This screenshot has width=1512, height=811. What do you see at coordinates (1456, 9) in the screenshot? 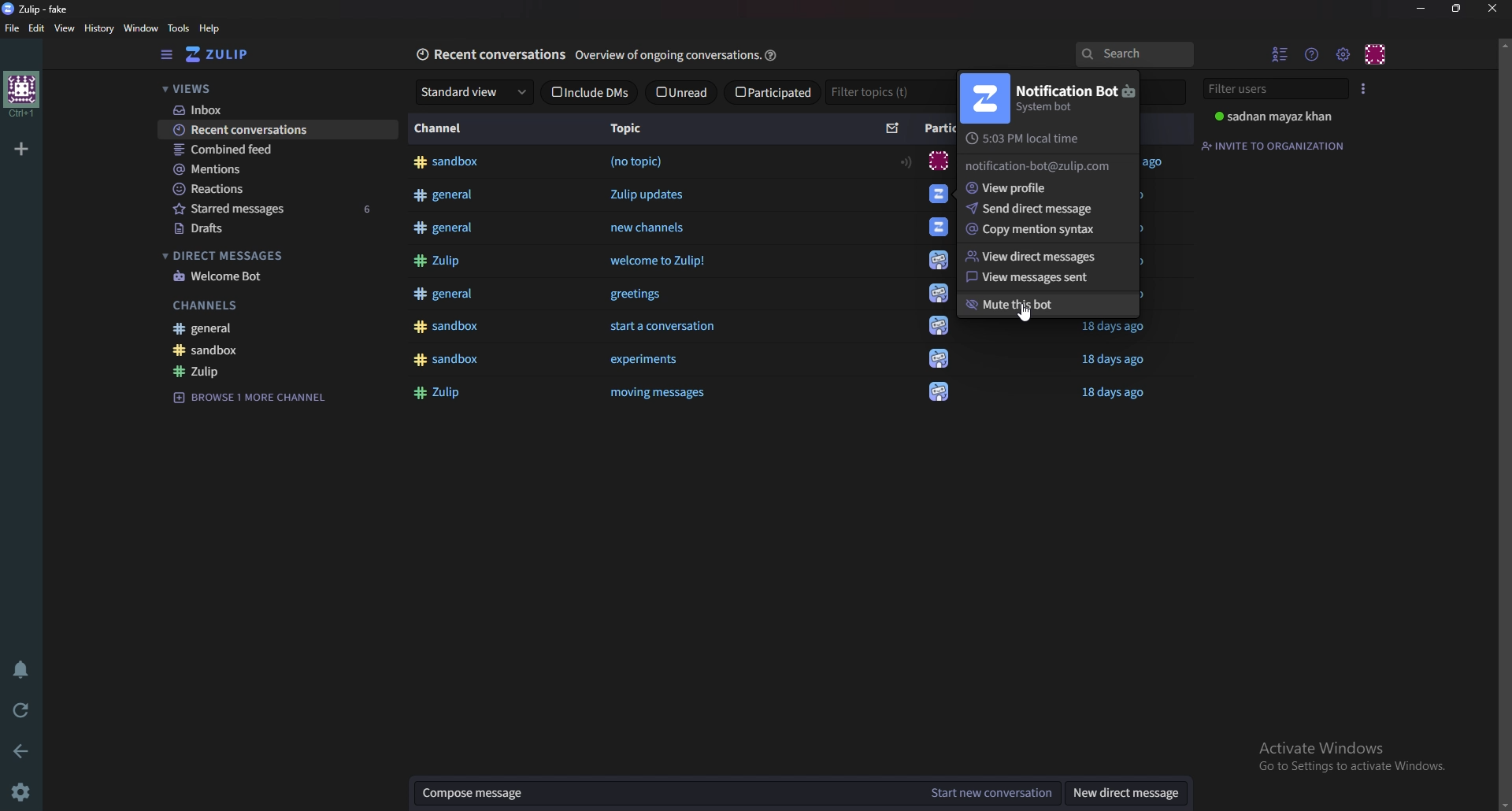
I see `Resize` at bounding box center [1456, 9].